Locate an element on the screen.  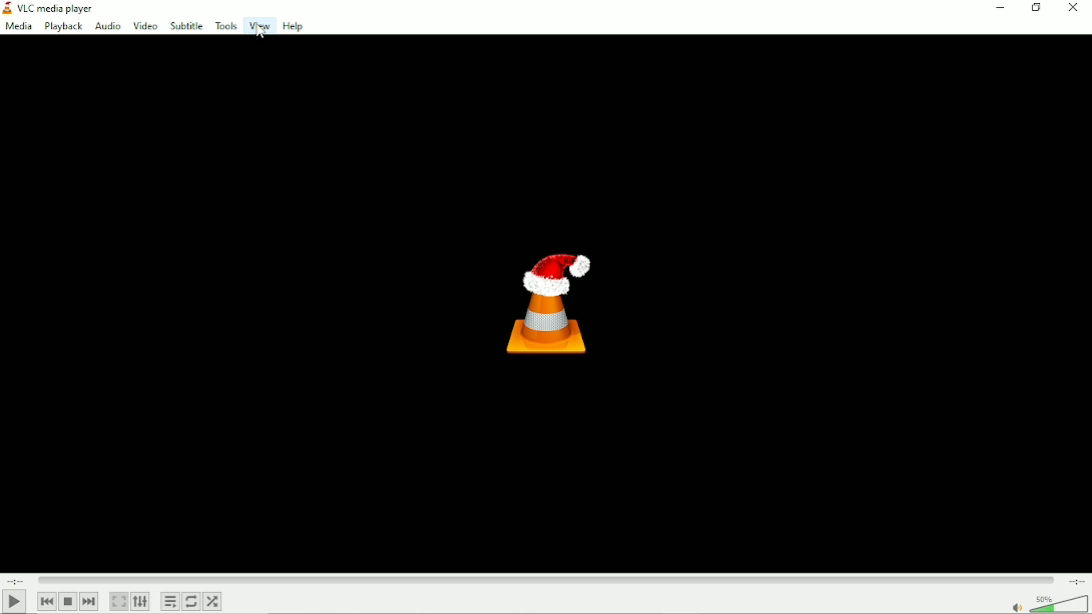
Toggle video in fullscreen is located at coordinates (119, 600).